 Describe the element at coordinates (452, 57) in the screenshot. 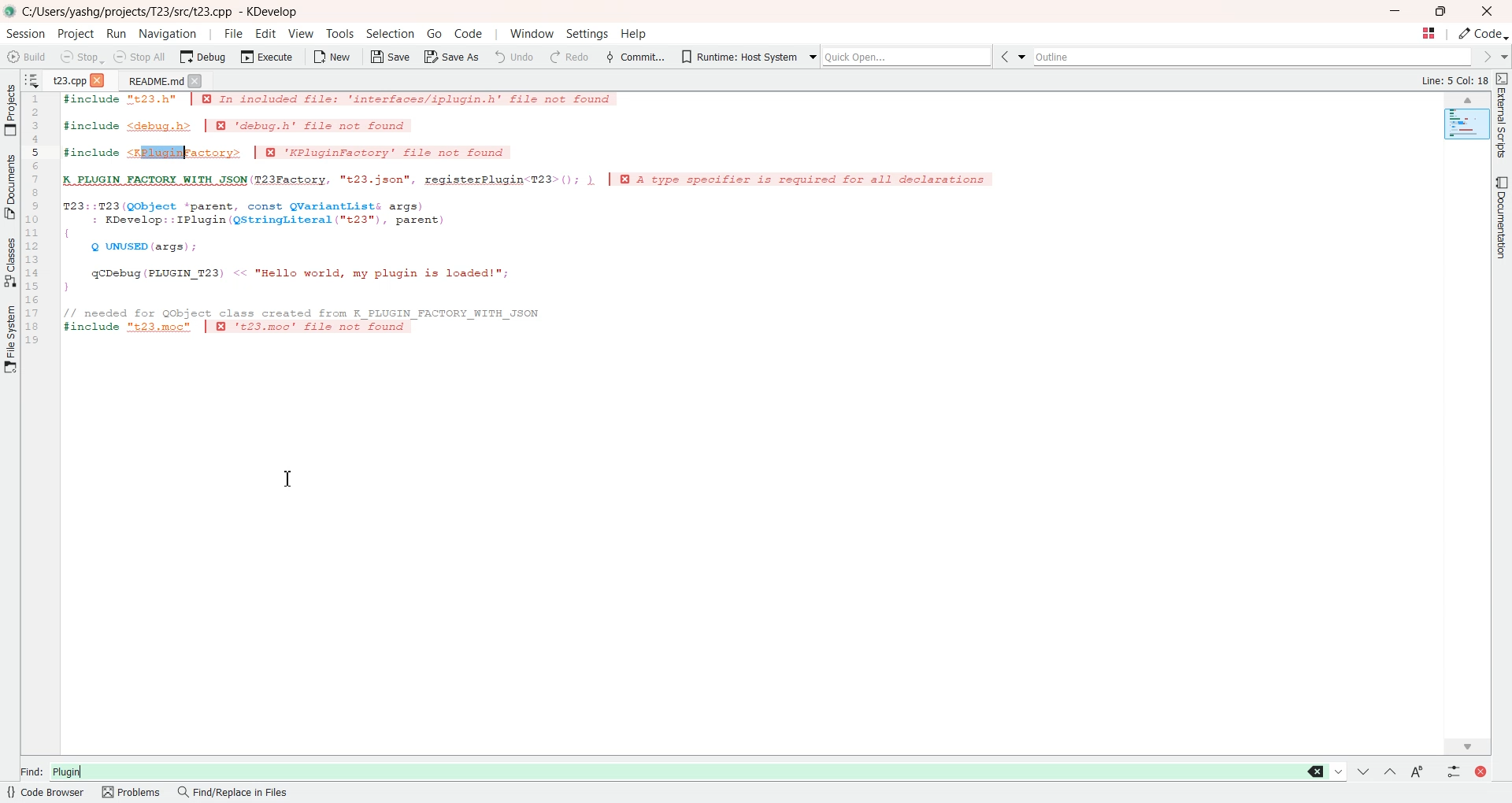

I see `Save as` at that location.